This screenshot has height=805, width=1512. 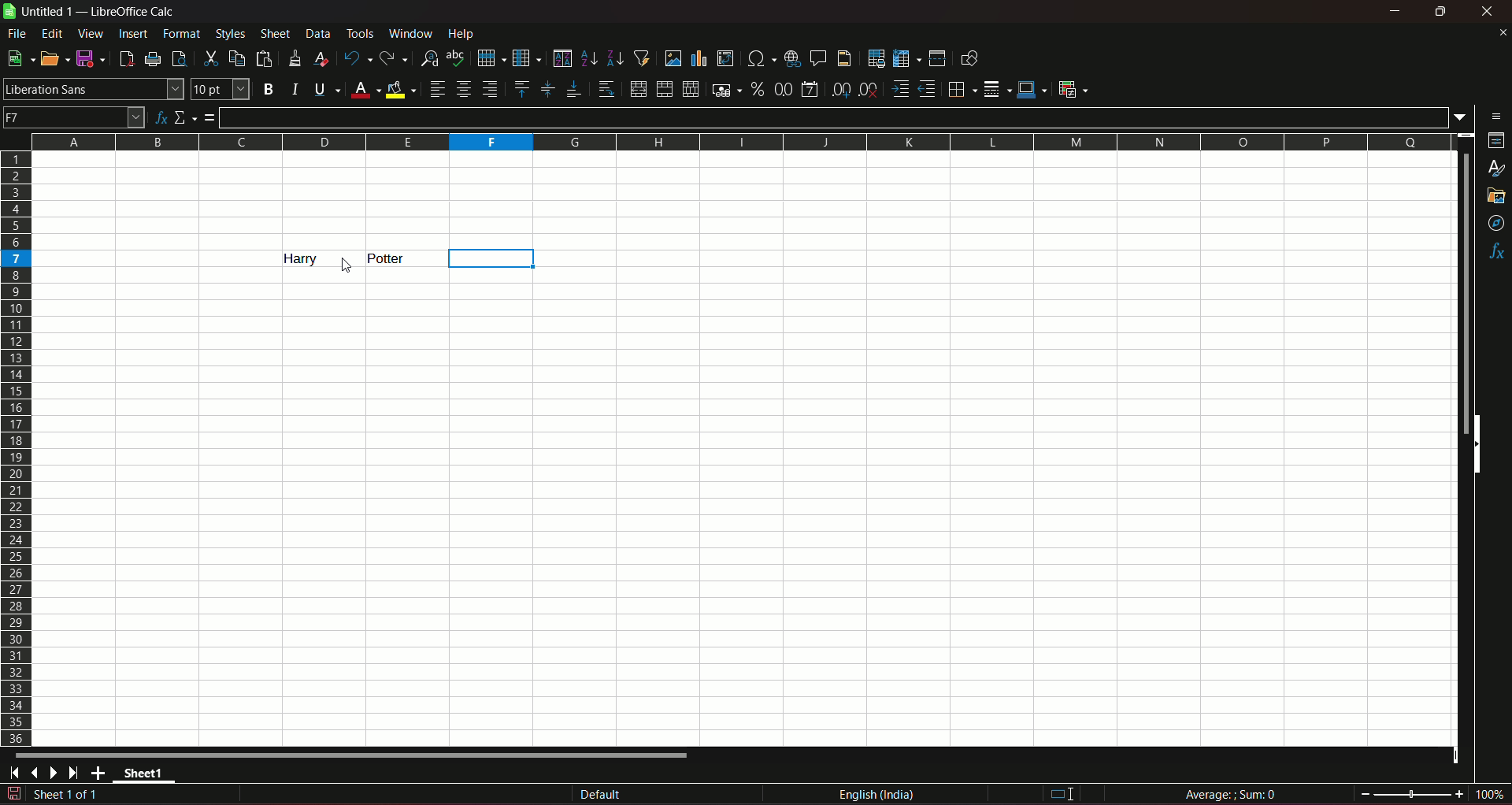 What do you see at coordinates (1396, 11) in the screenshot?
I see `minimize` at bounding box center [1396, 11].